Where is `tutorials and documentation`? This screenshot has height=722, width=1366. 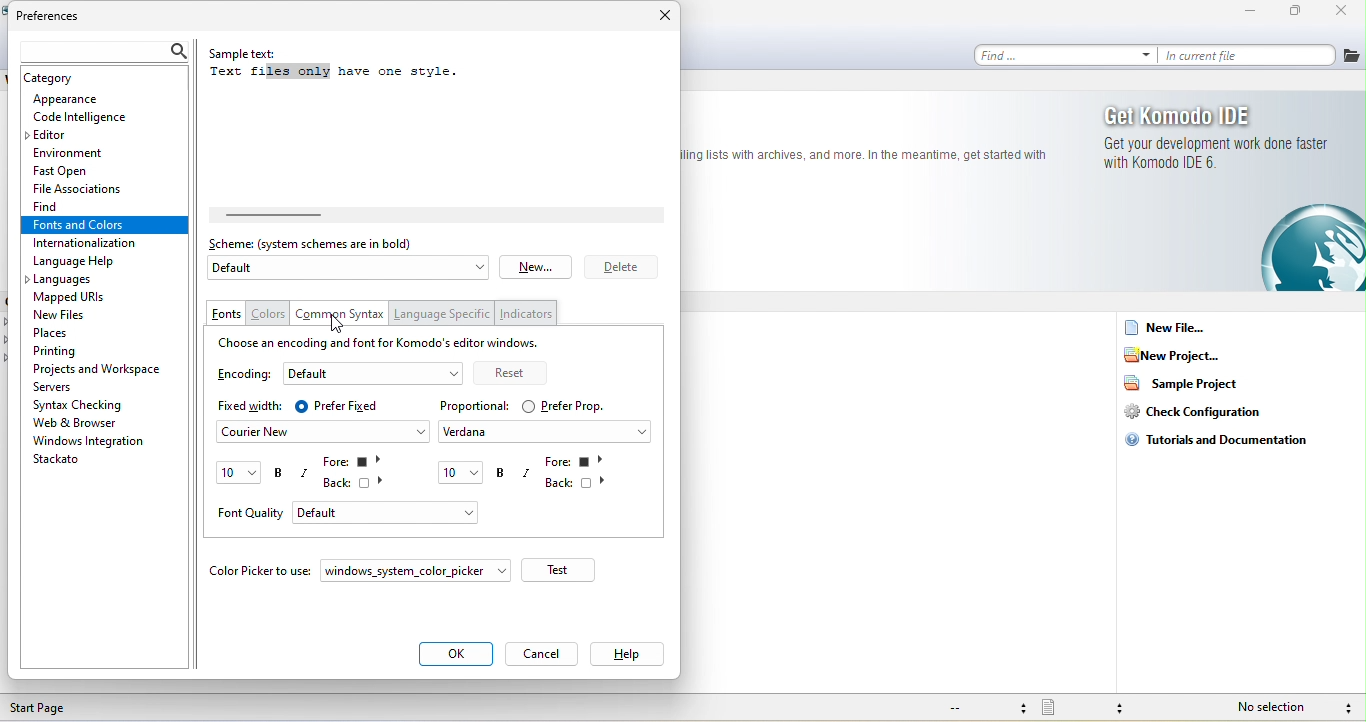
tutorials and documentation is located at coordinates (1225, 447).